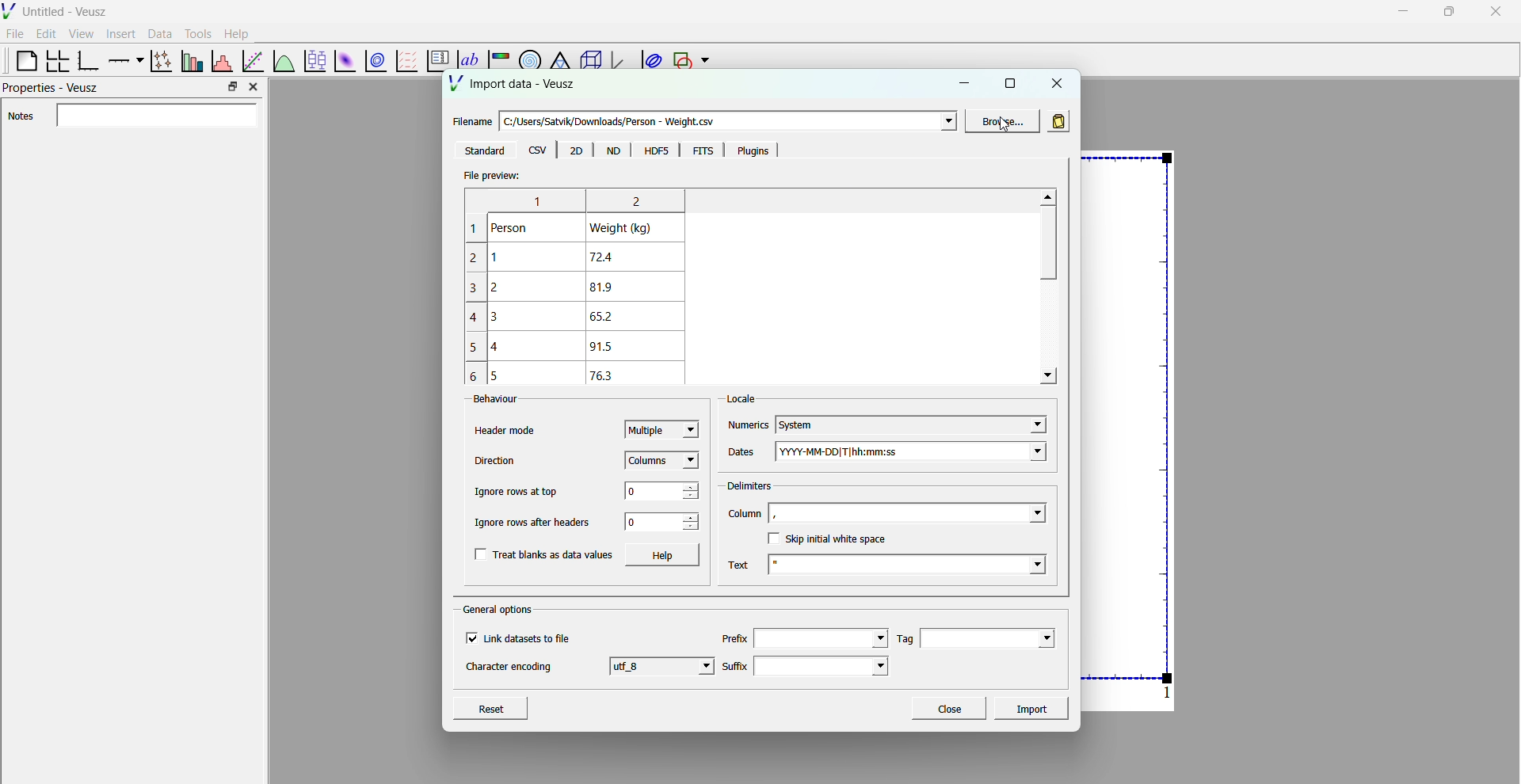 Image resolution: width=1521 pixels, height=784 pixels. I want to click on utf_8, so click(663, 665).